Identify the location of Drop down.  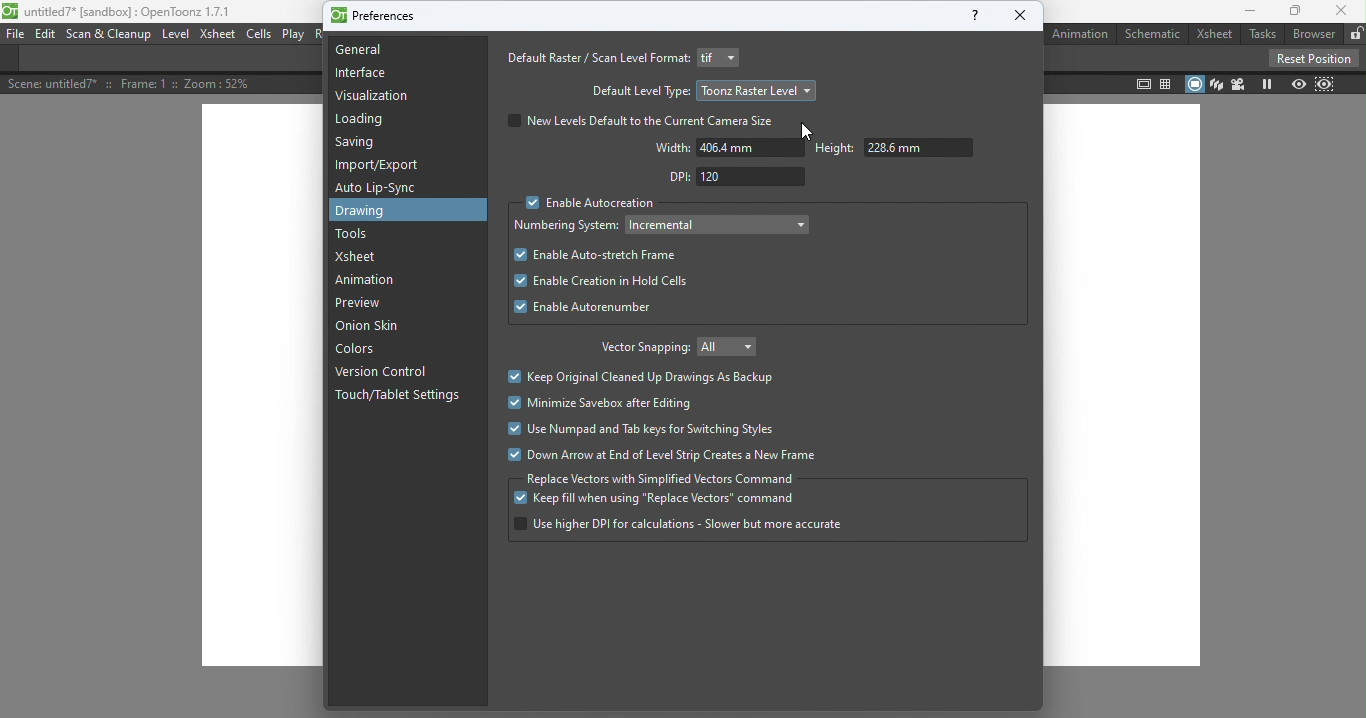
(732, 348).